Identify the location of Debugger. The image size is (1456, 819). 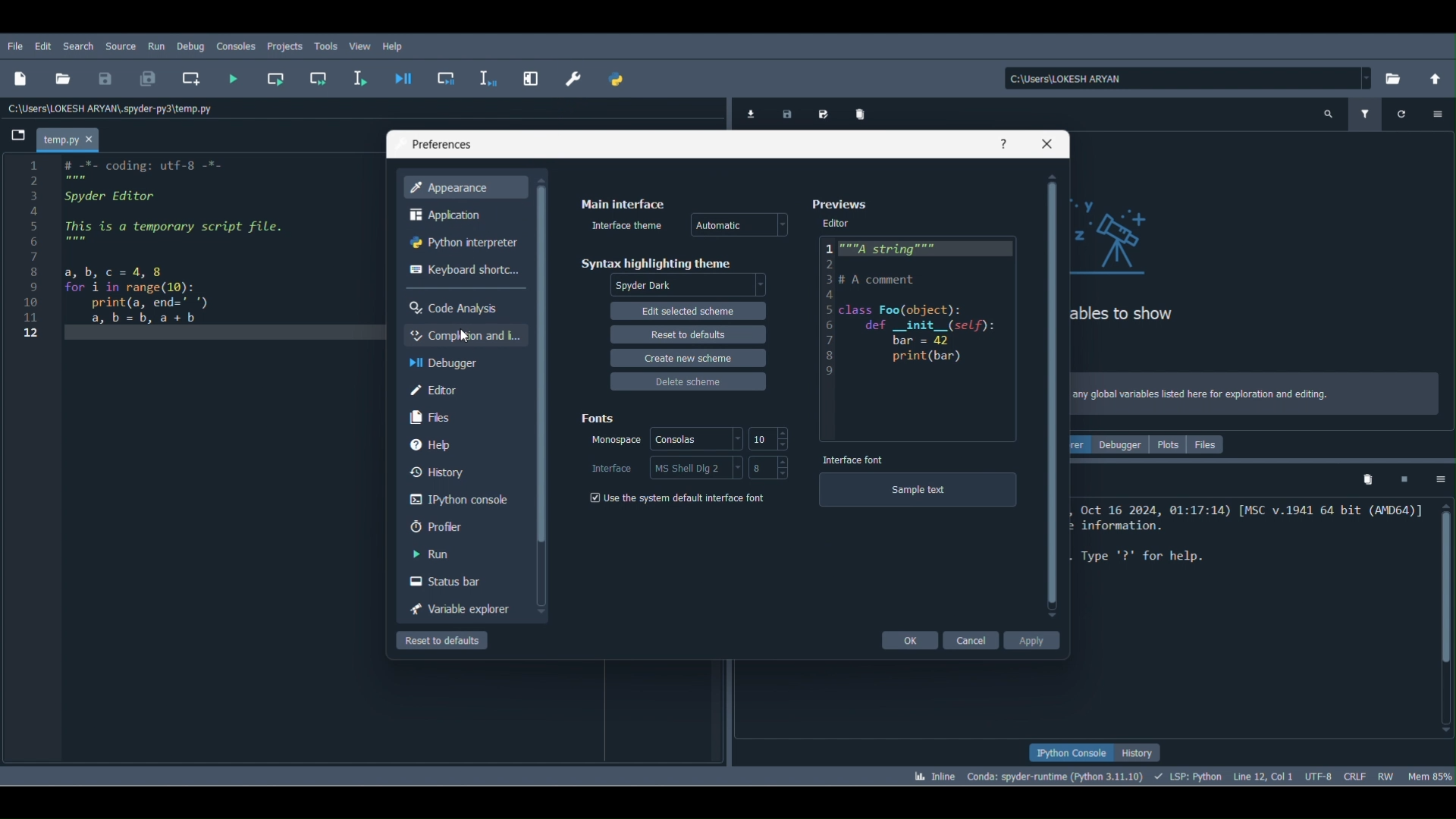
(1124, 444).